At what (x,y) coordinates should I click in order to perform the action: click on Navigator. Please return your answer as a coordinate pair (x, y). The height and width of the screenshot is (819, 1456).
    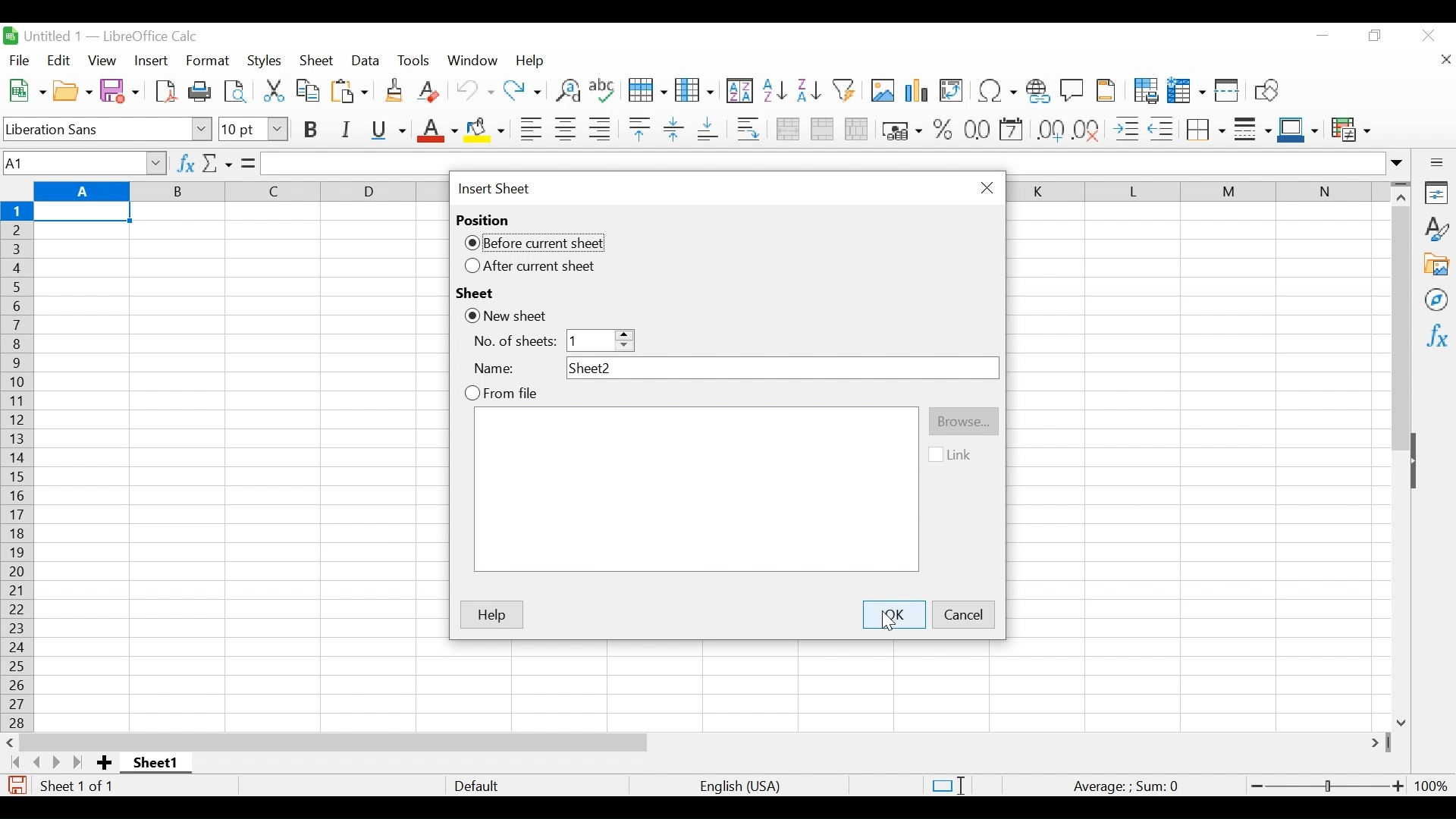
    Looking at the image, I should click on (1437, 299).